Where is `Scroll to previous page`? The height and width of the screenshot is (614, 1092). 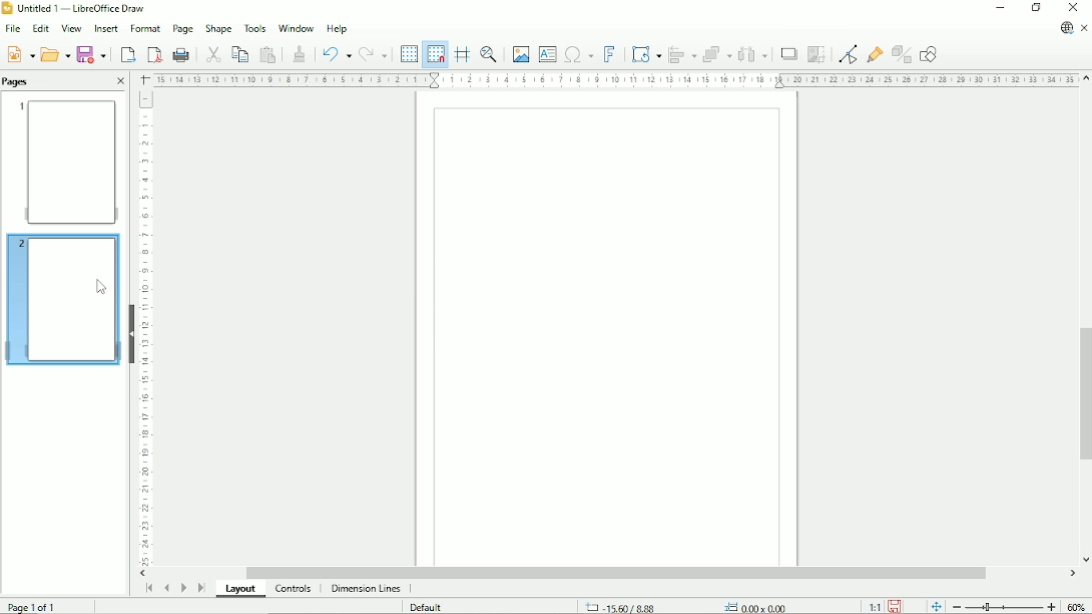 Scroll to previous page is located at coordinates (166, 588).